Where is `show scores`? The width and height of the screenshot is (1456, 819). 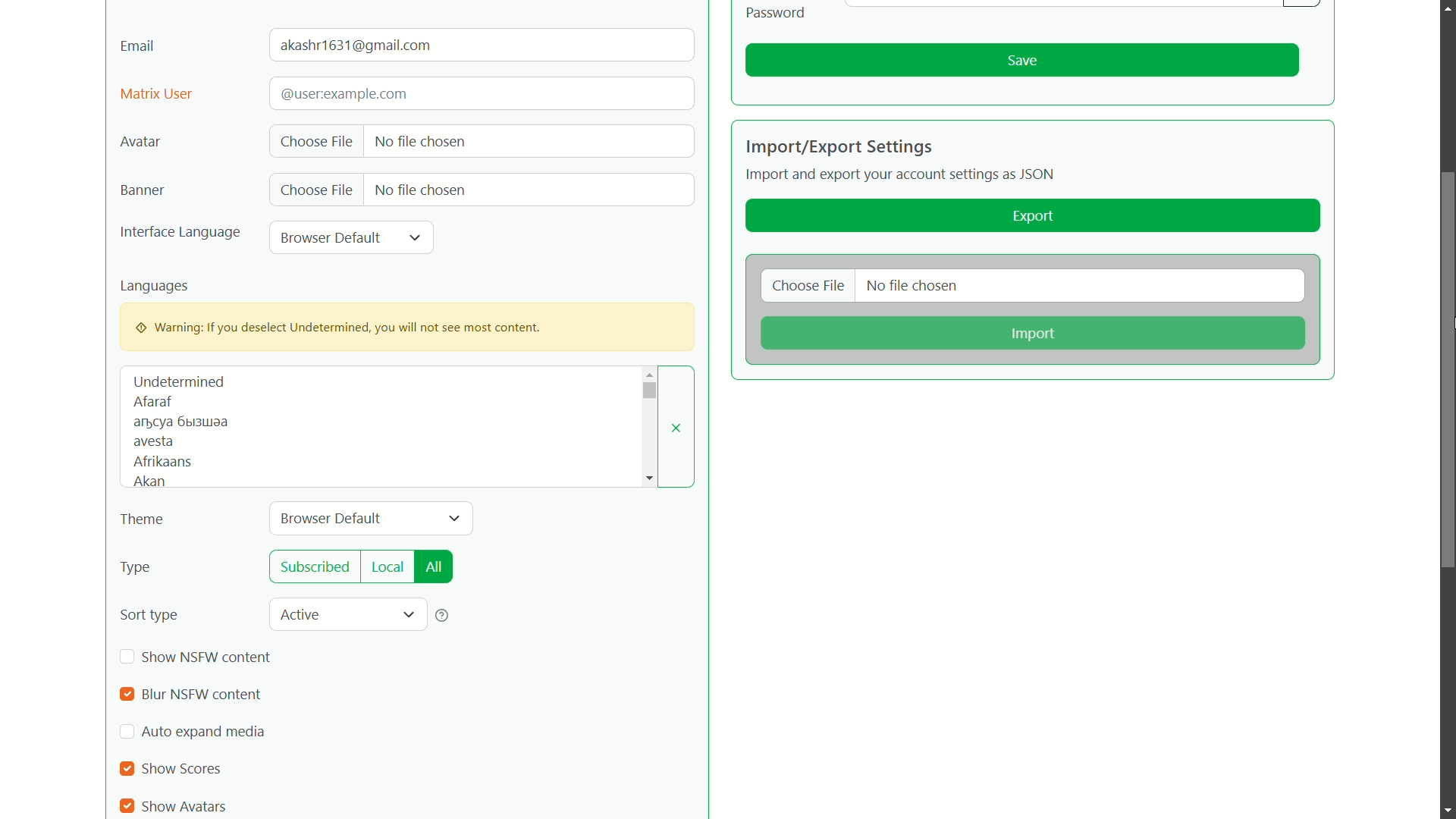 show scores is located at coordinates (184, 769).